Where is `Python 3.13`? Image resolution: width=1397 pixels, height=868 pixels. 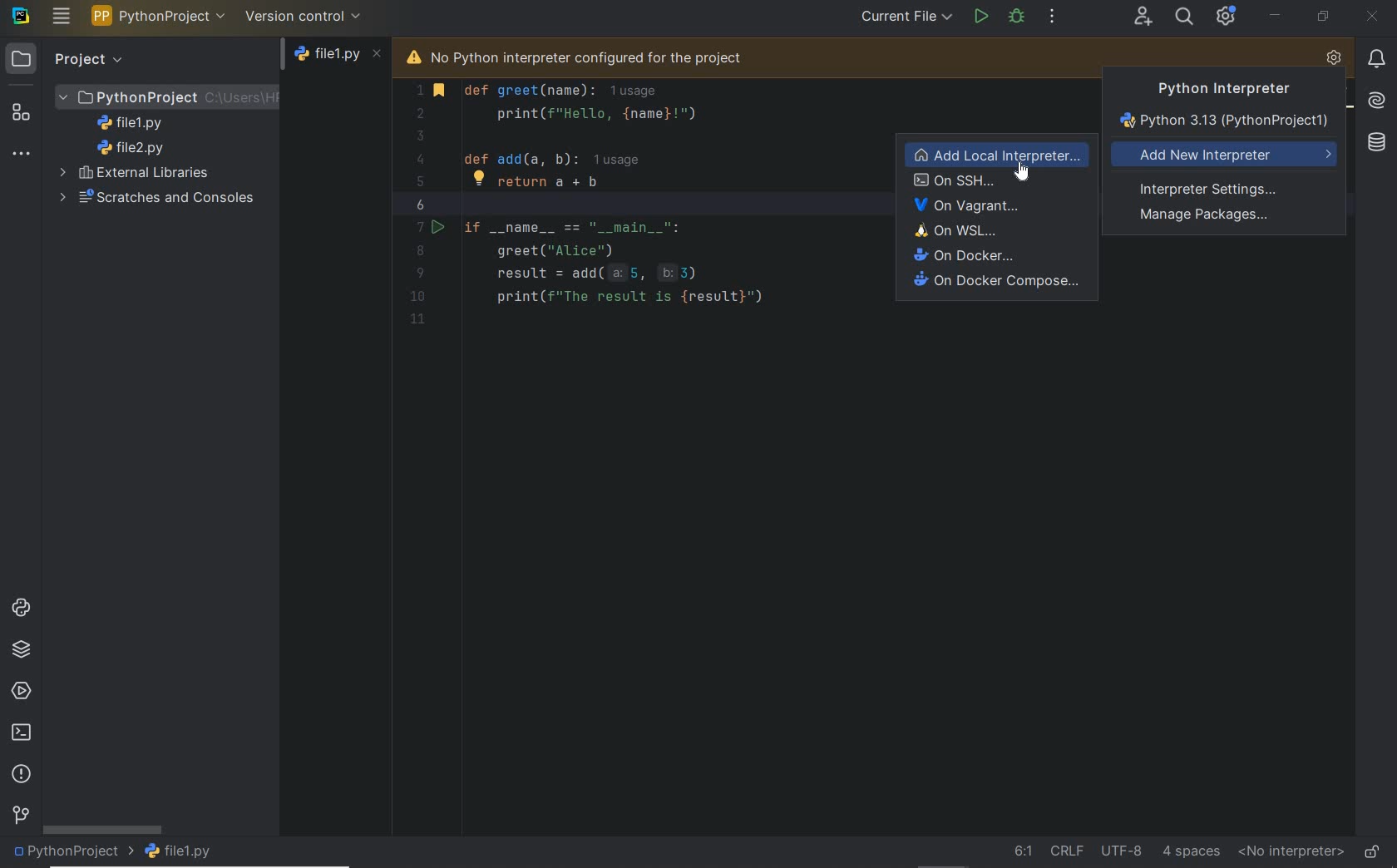
Python 3.13 is located at coordinates (1225, 124).